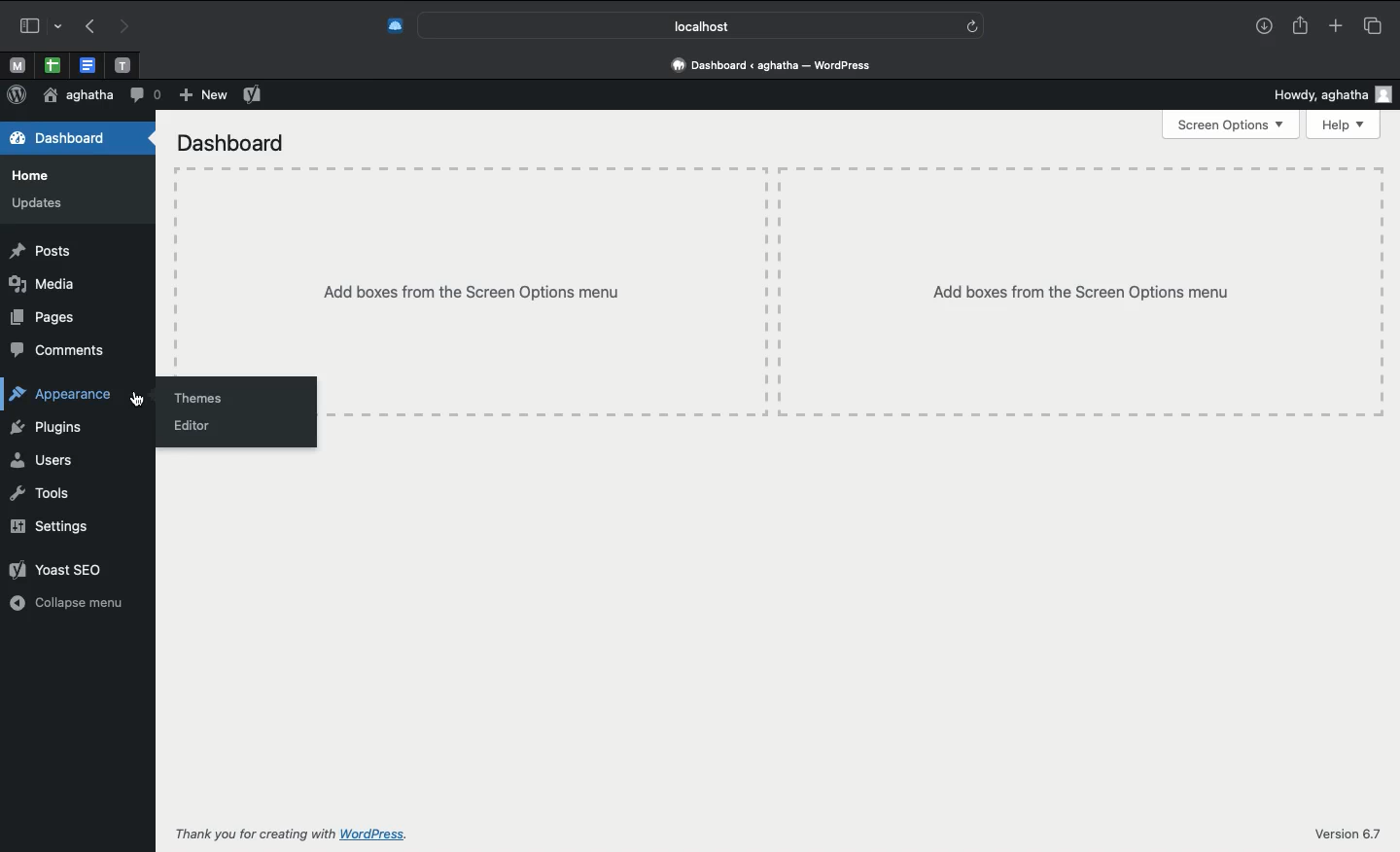 Image resolution: width=1400 pixels, height=852 pixels. I want to click on open tab, so click(17, 66).